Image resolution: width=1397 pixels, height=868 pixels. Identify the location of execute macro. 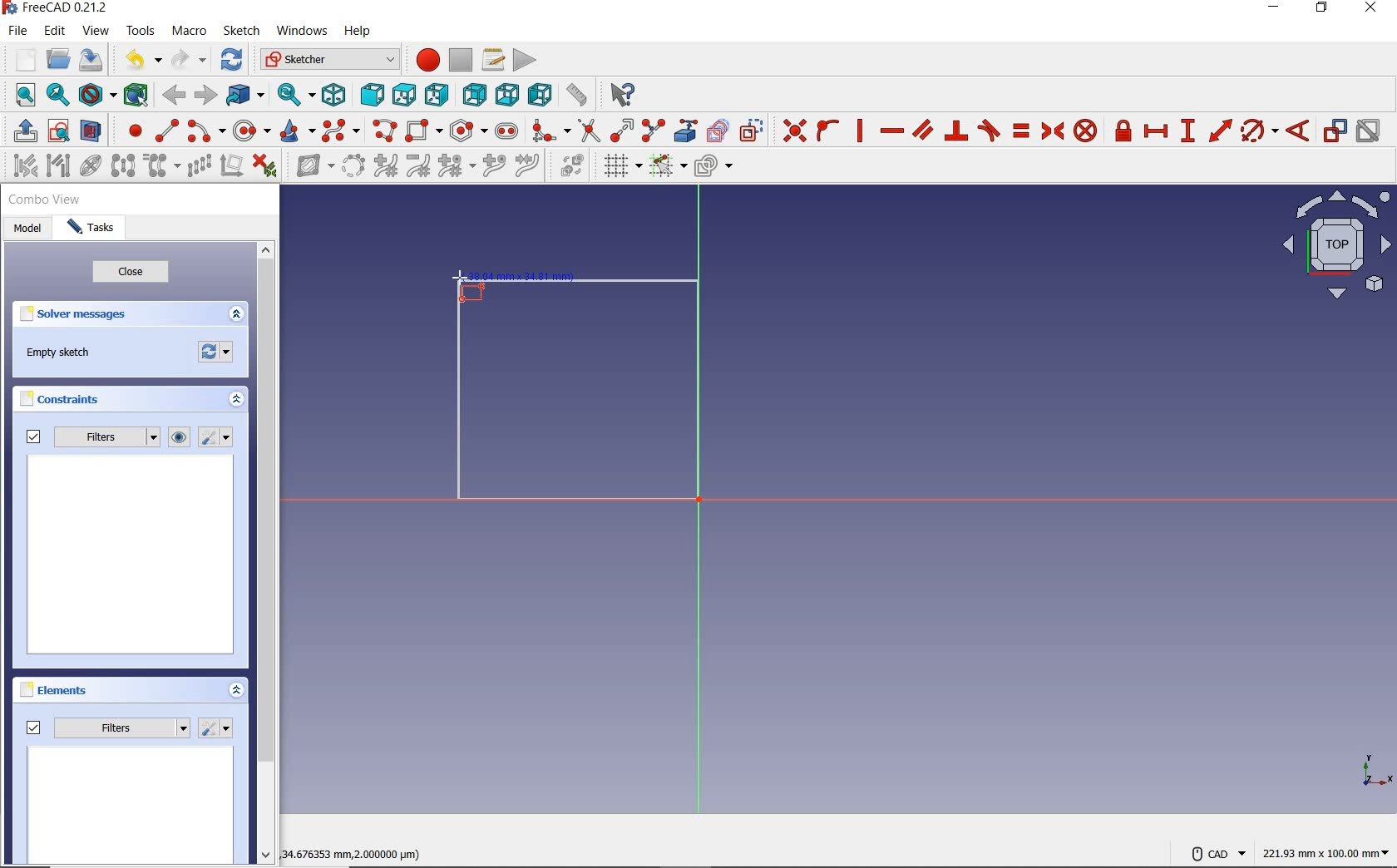
(524, 60).